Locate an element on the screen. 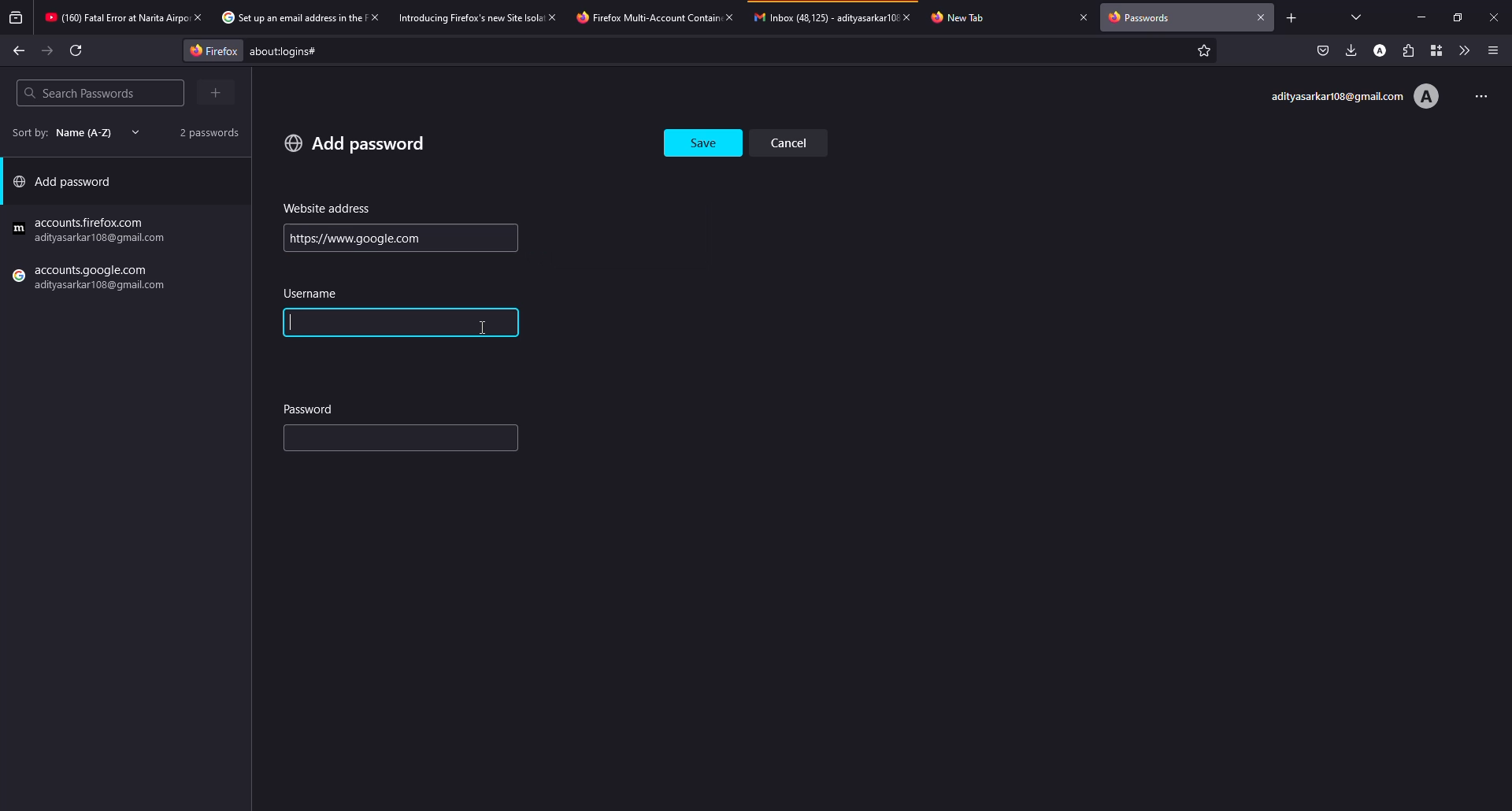 This screenshot has height=811, width=1512. extensions is located at coordinates (1407, 50).